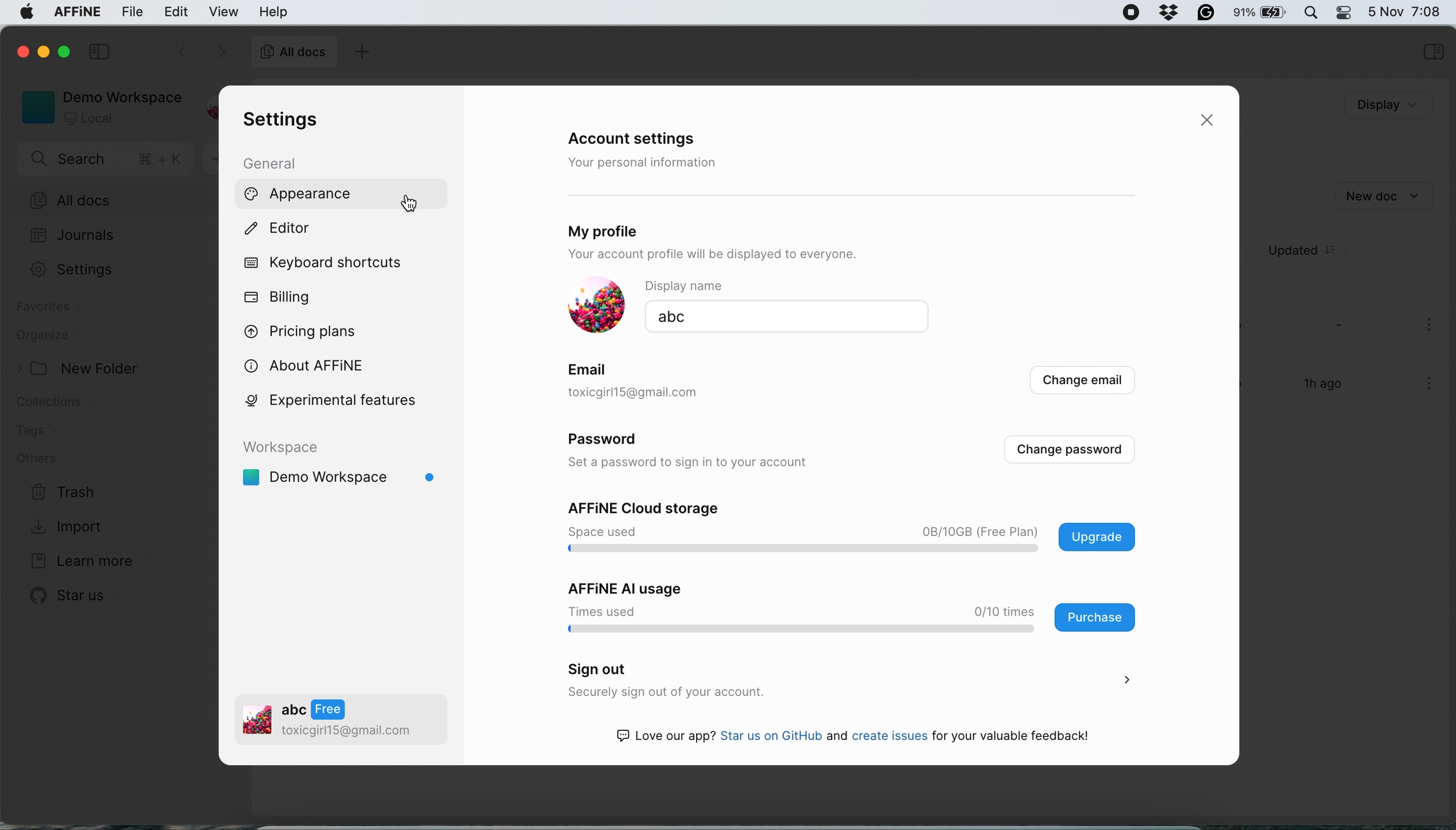  I want to click on spotlight search, so click(1313, 13).